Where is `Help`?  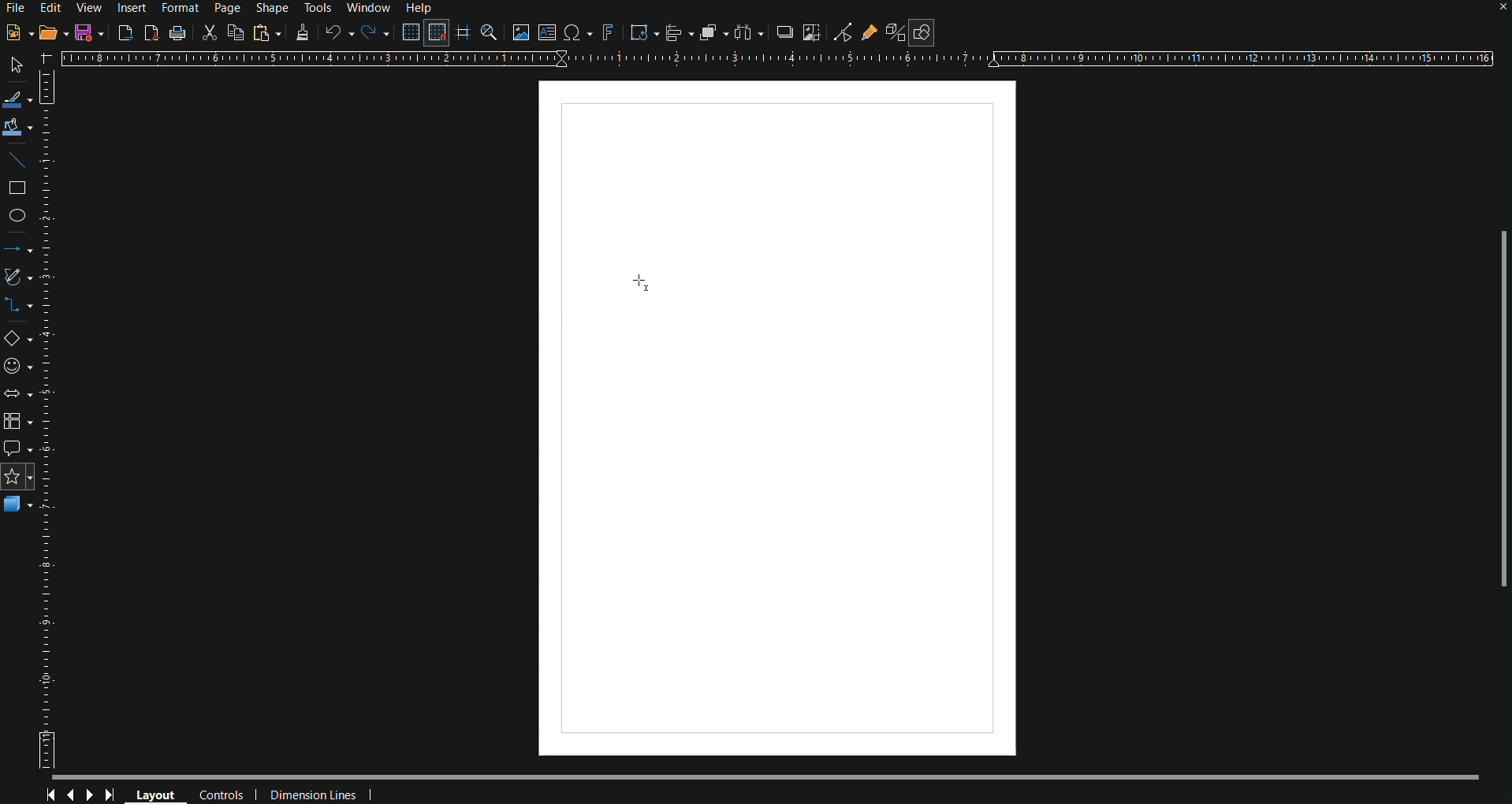
Help is located at coordinates (422, 9).